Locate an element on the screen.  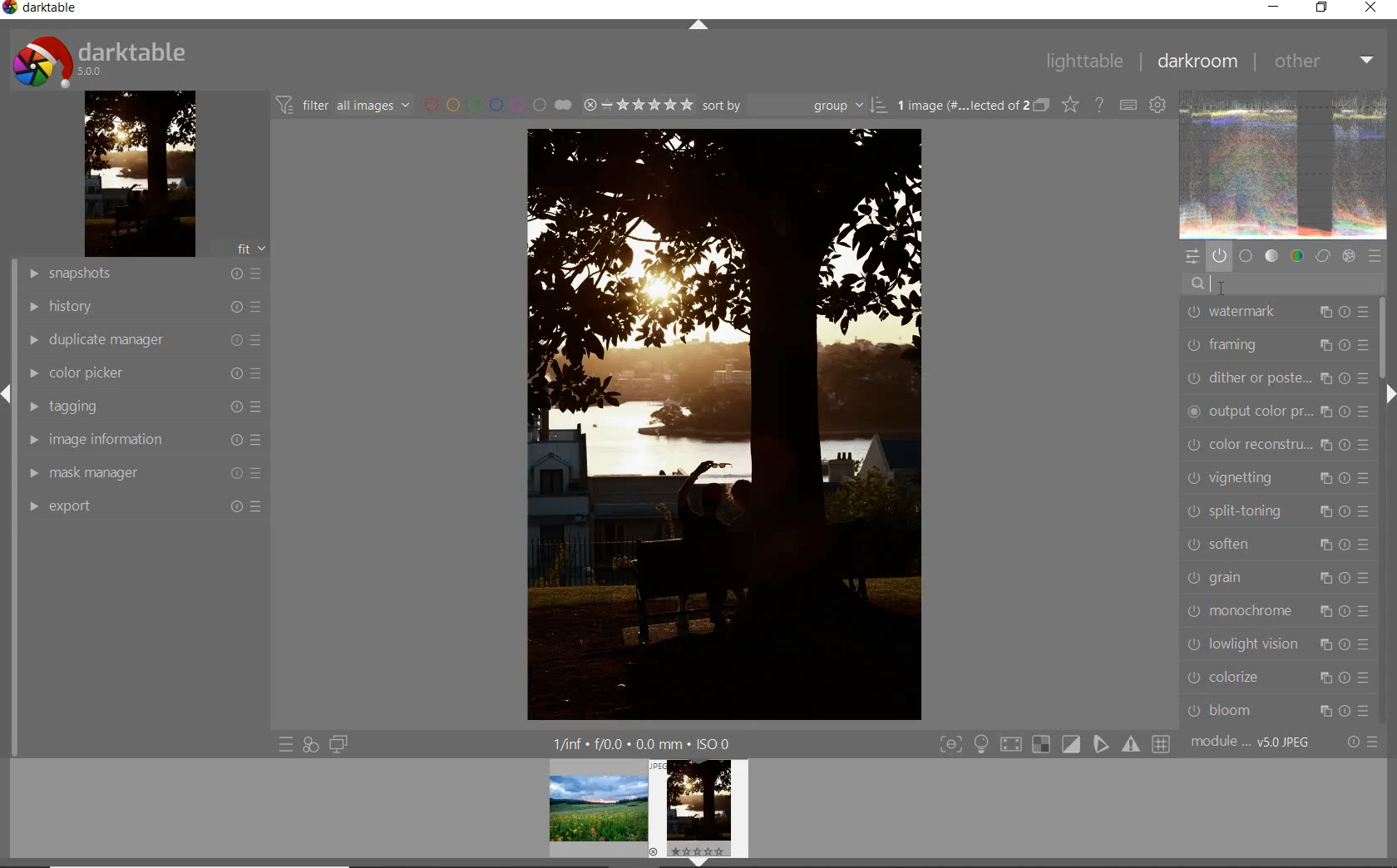
lowlight vision is located at coordinates (1277, 644).